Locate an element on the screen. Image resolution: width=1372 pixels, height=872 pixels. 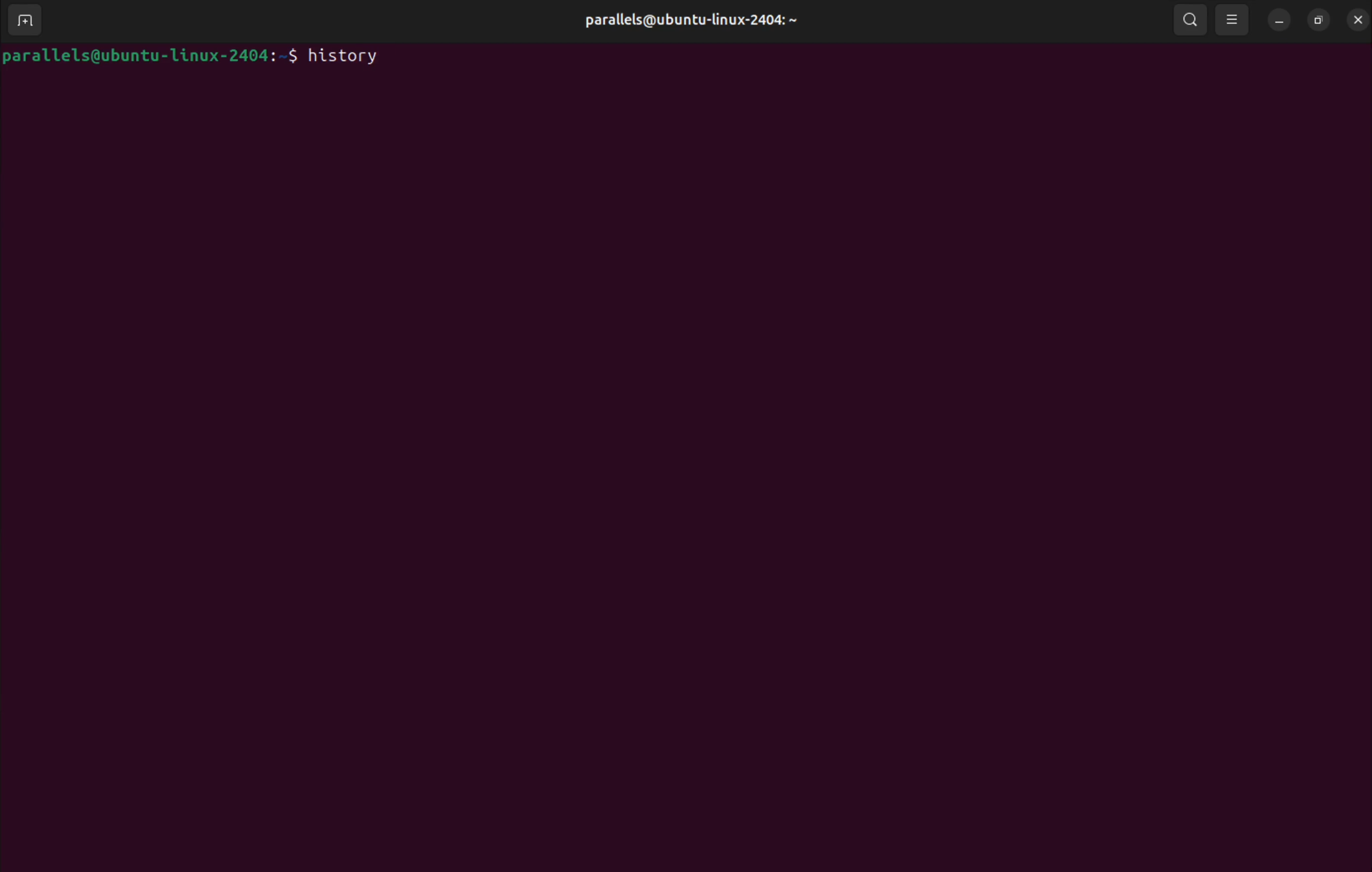
search is located at coordinates (1193, 19).